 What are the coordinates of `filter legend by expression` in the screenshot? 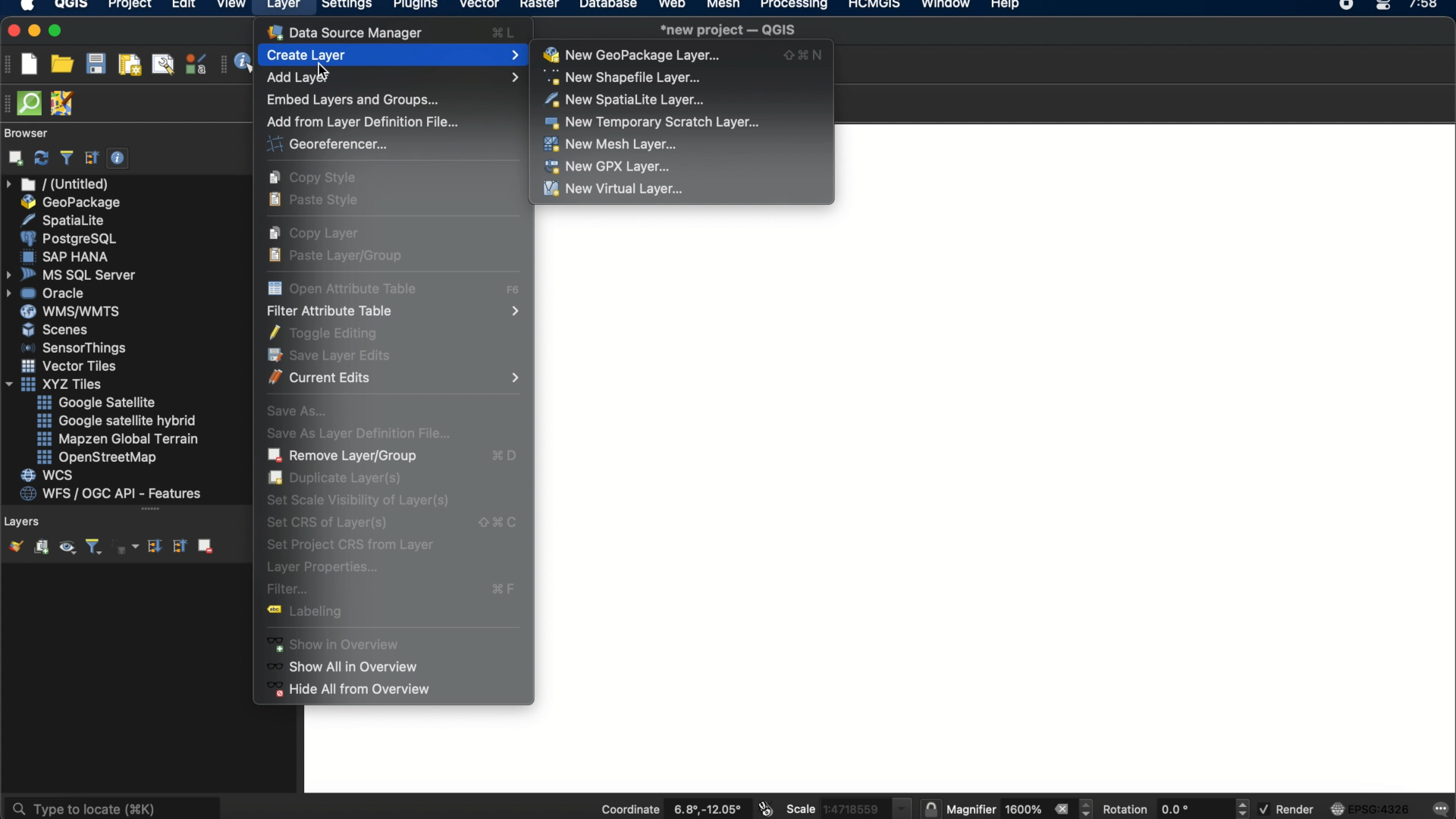 It's located at (127, 547).